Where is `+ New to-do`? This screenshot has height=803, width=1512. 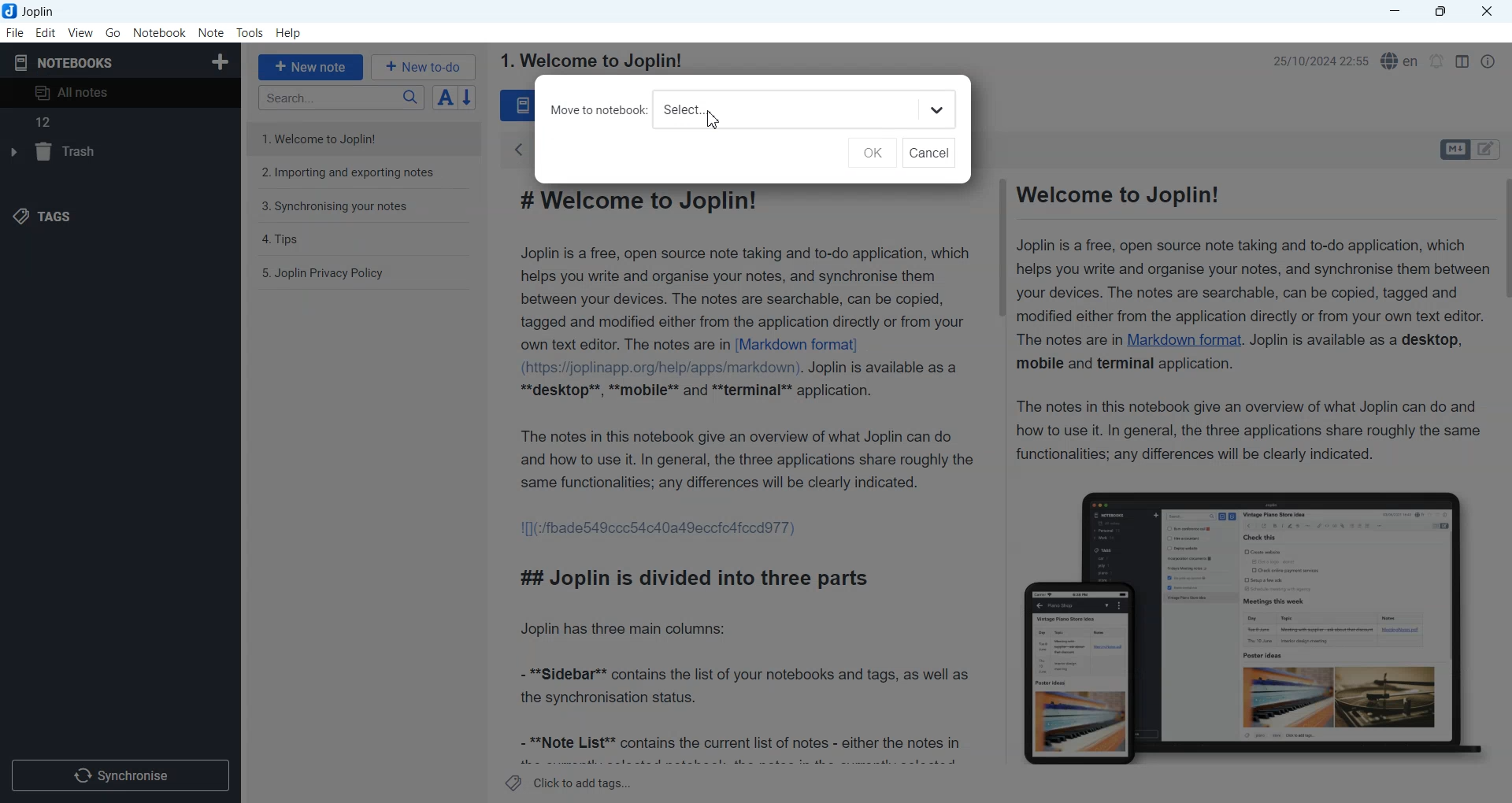 + New to-do is located at coordinates (425, 66).